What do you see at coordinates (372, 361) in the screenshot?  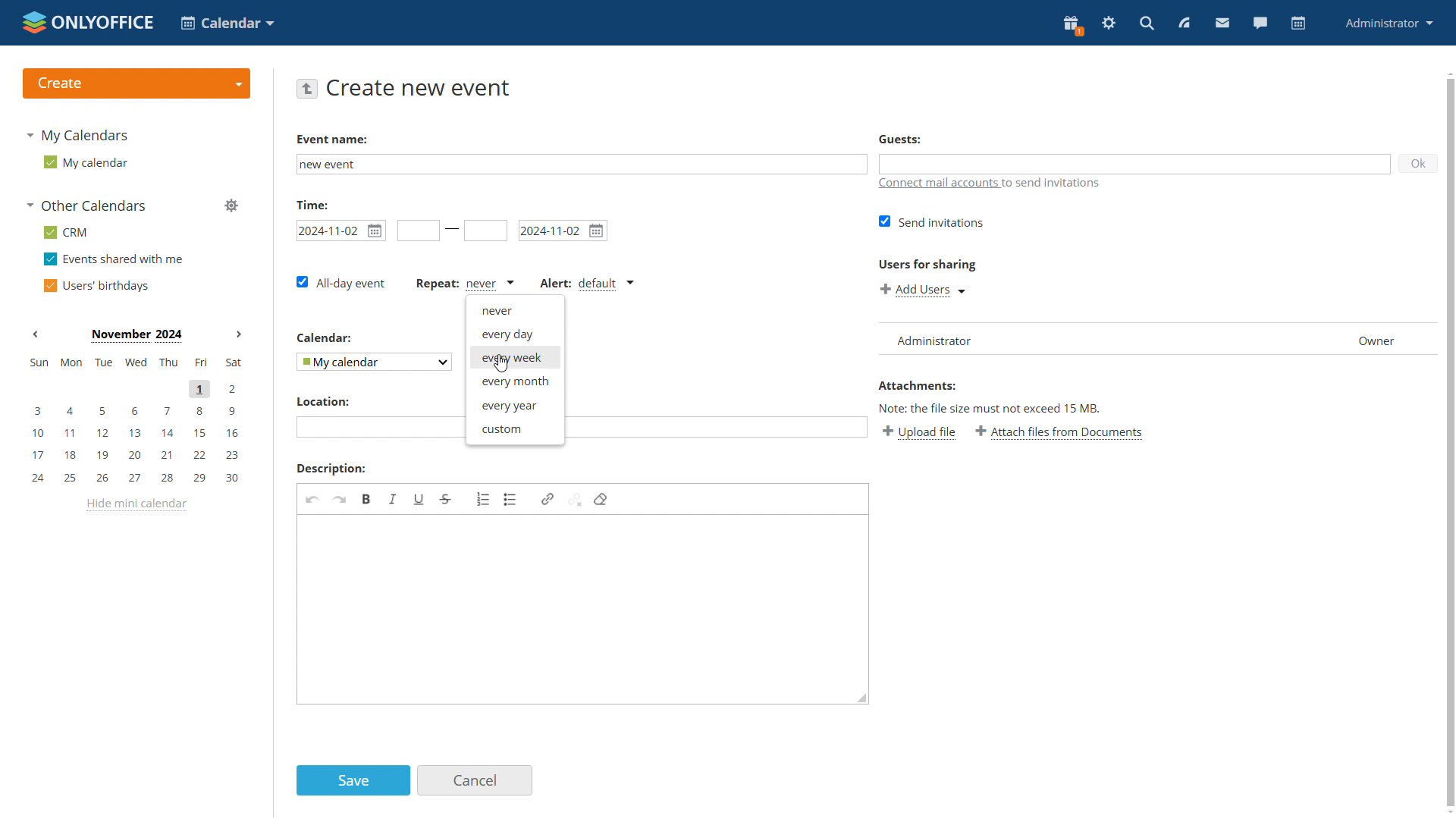 I see `select calendar` at bounding box center [372, 361].